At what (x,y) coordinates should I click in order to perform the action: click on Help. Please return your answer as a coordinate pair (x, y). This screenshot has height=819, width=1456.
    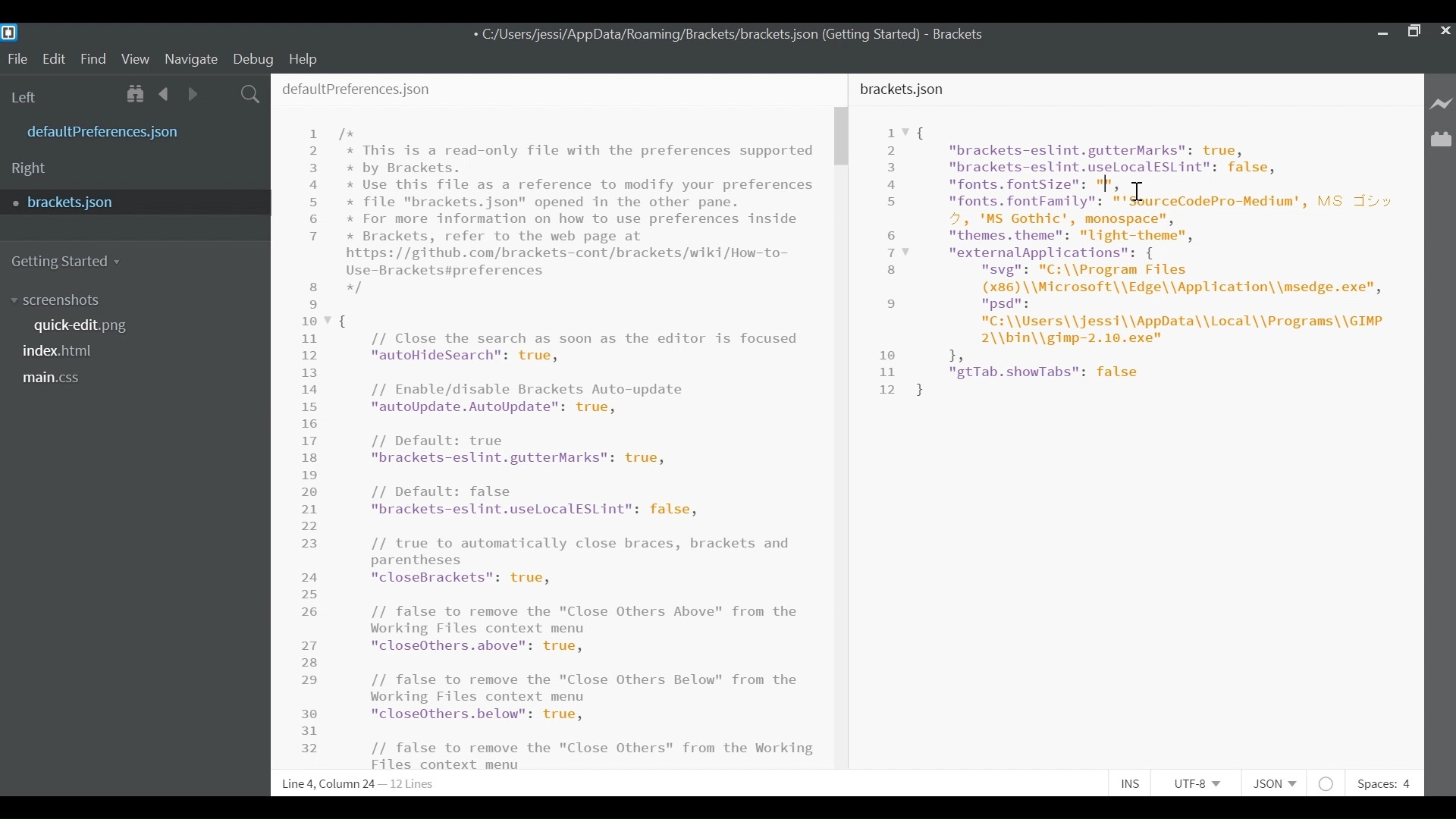
    Looking at the image, I should click on (306, 58).